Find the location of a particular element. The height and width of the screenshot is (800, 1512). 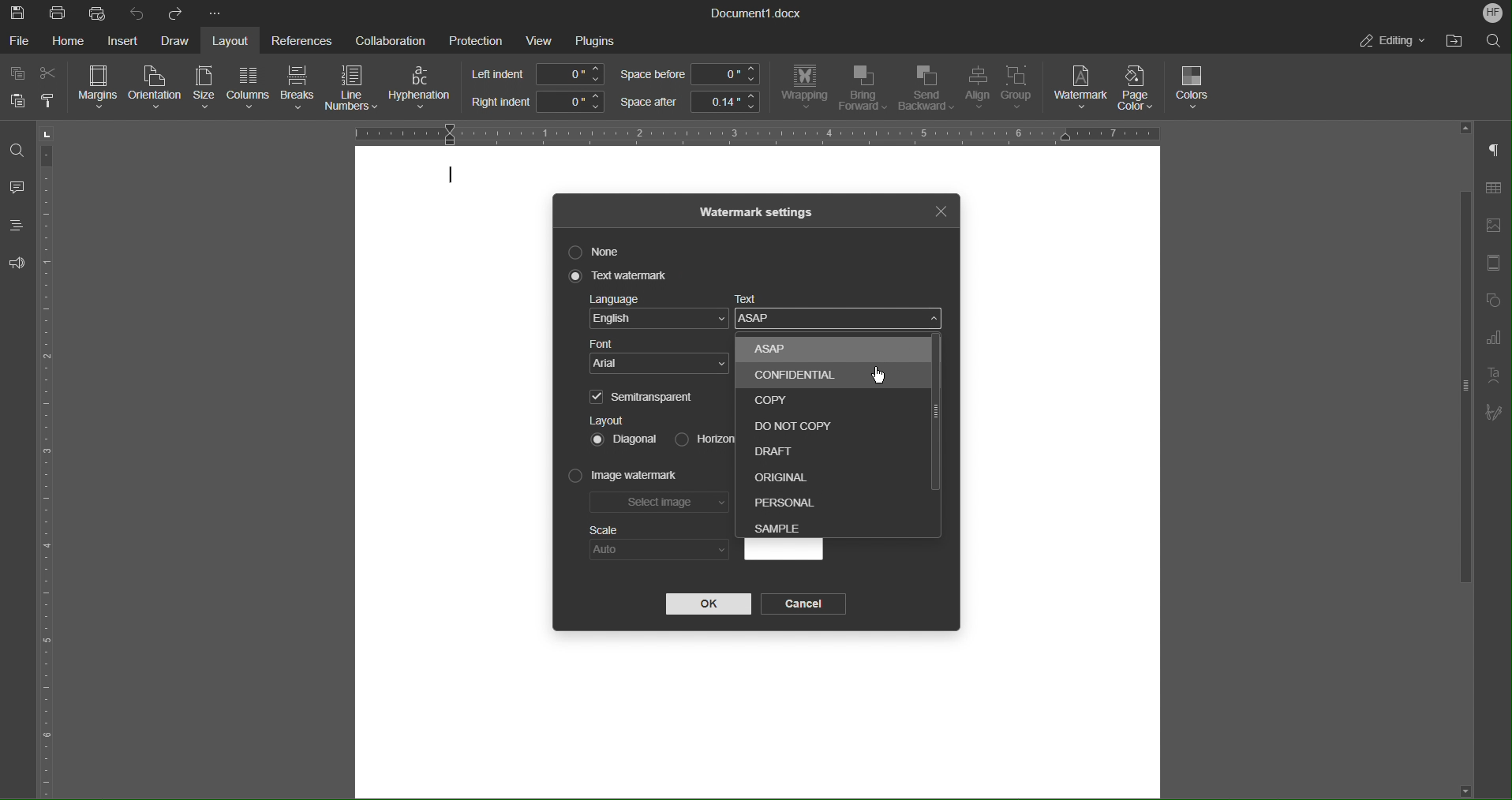

Preview is located at coordinates (783, 551).